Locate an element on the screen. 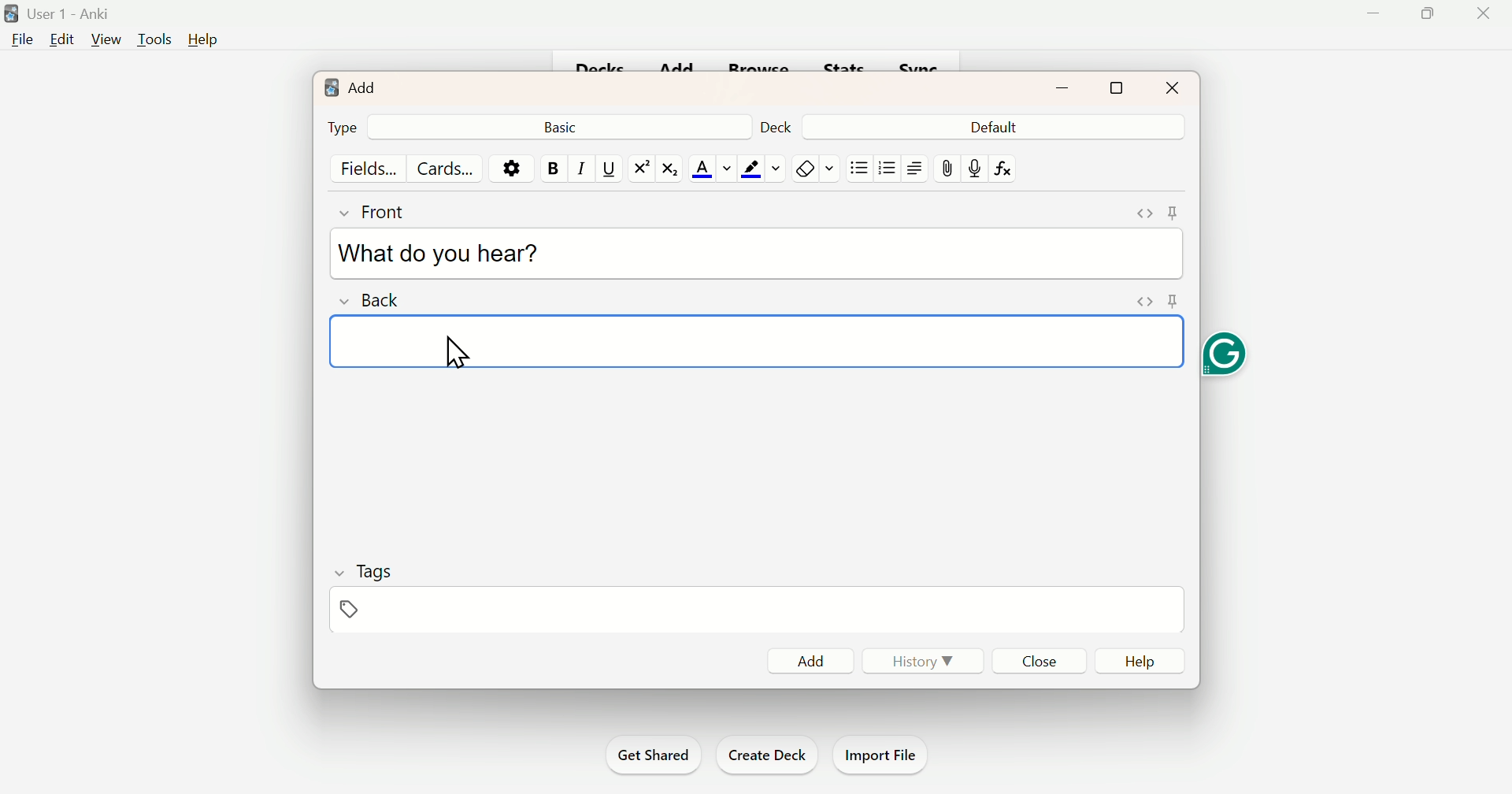 The height and width of the screenshot is (794, 1512). What do you hear? is located at coordinates (445, 254).